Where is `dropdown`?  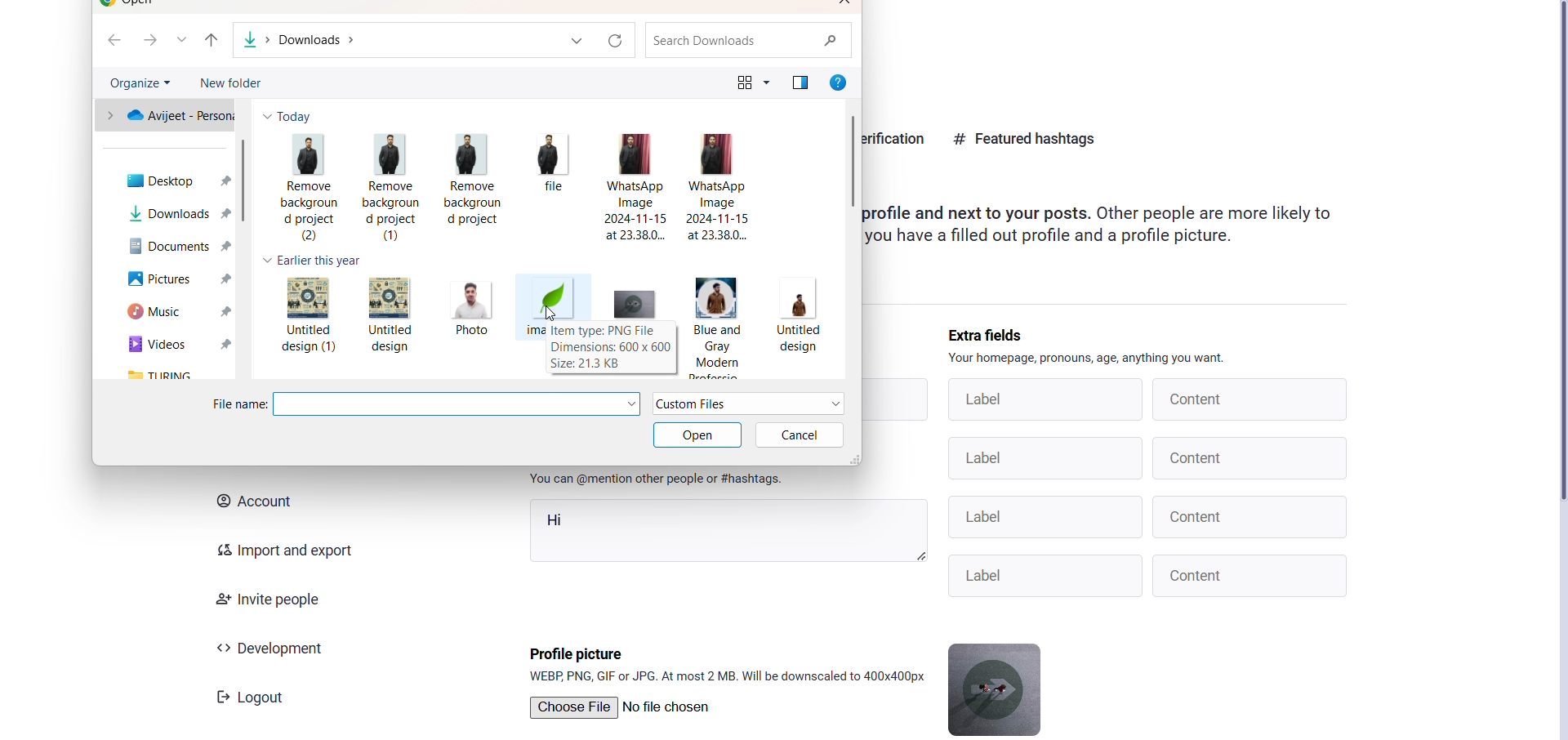 dropdown is located at coordinates (575, 41).